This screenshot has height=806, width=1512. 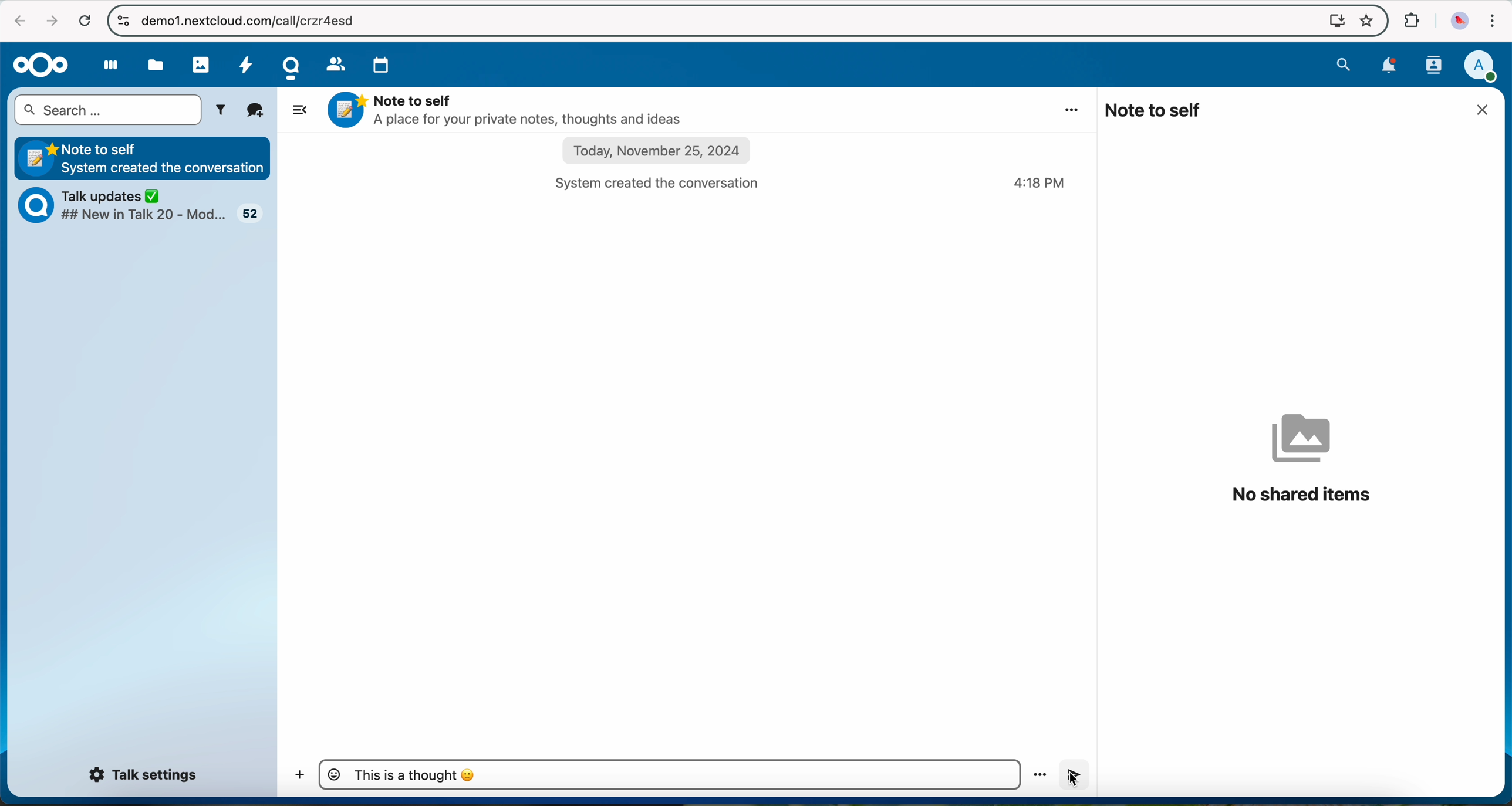 What do you see at coordinates (1392, 67) in the screenshot?
I see `notifications` at bounding box center [1392, 67].